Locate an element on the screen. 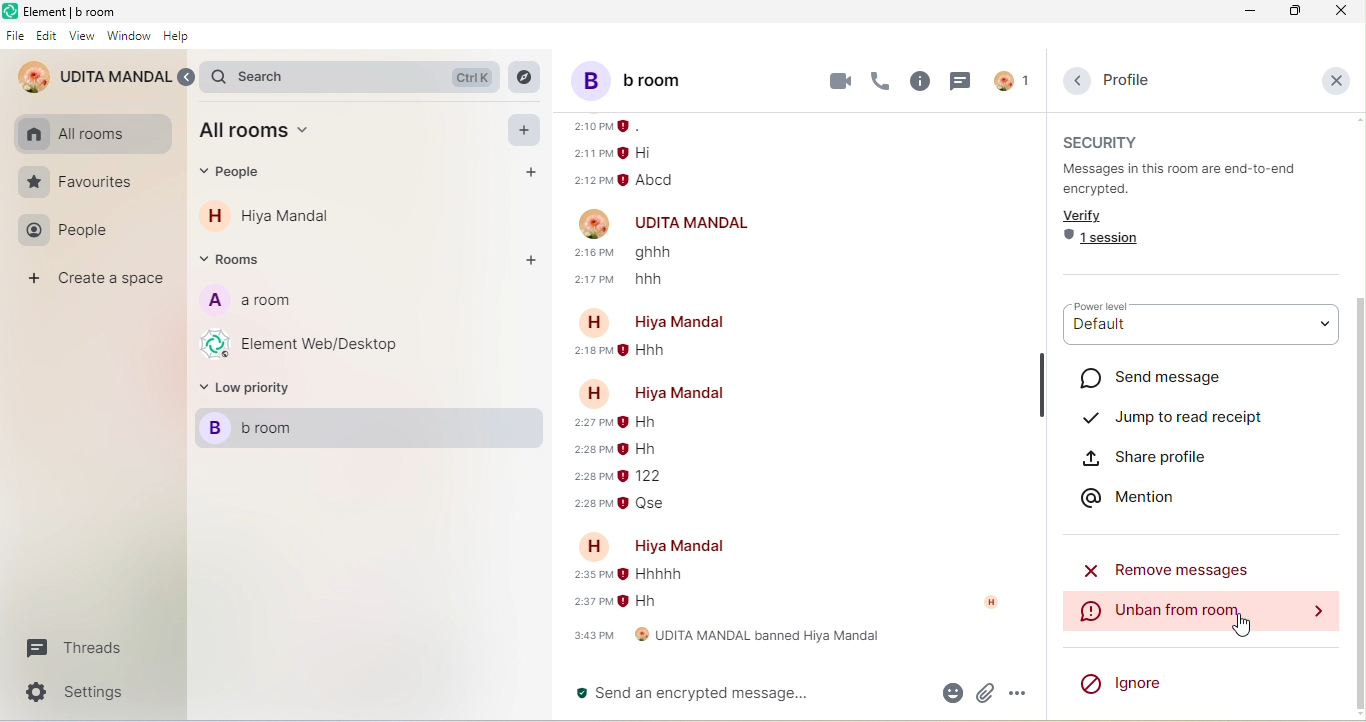  account name-hiya mandal is located at coordinates (663, 322).